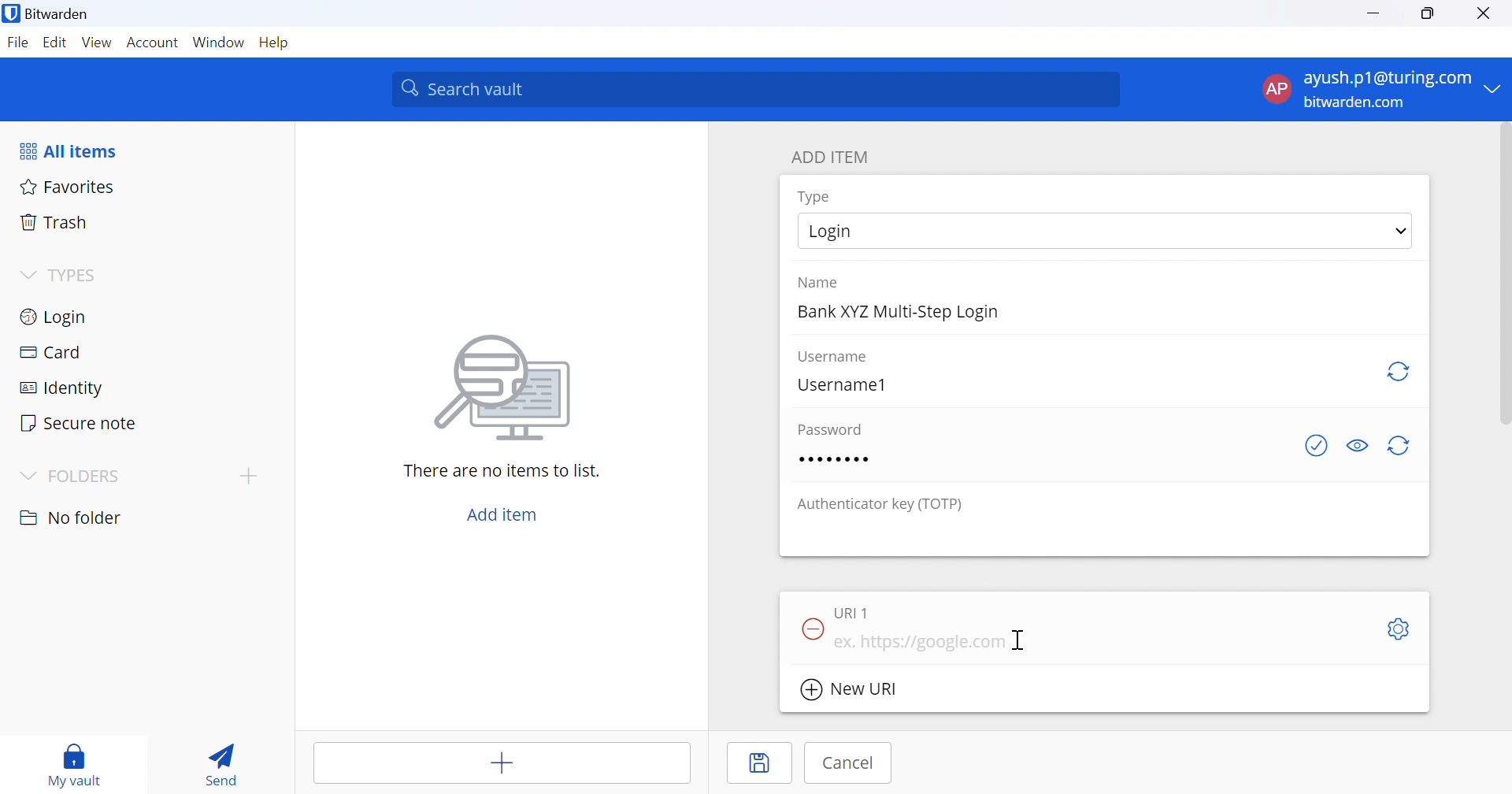  Describe the element at coordinates (17, 43) in the screenshot. I see `File` at that location.